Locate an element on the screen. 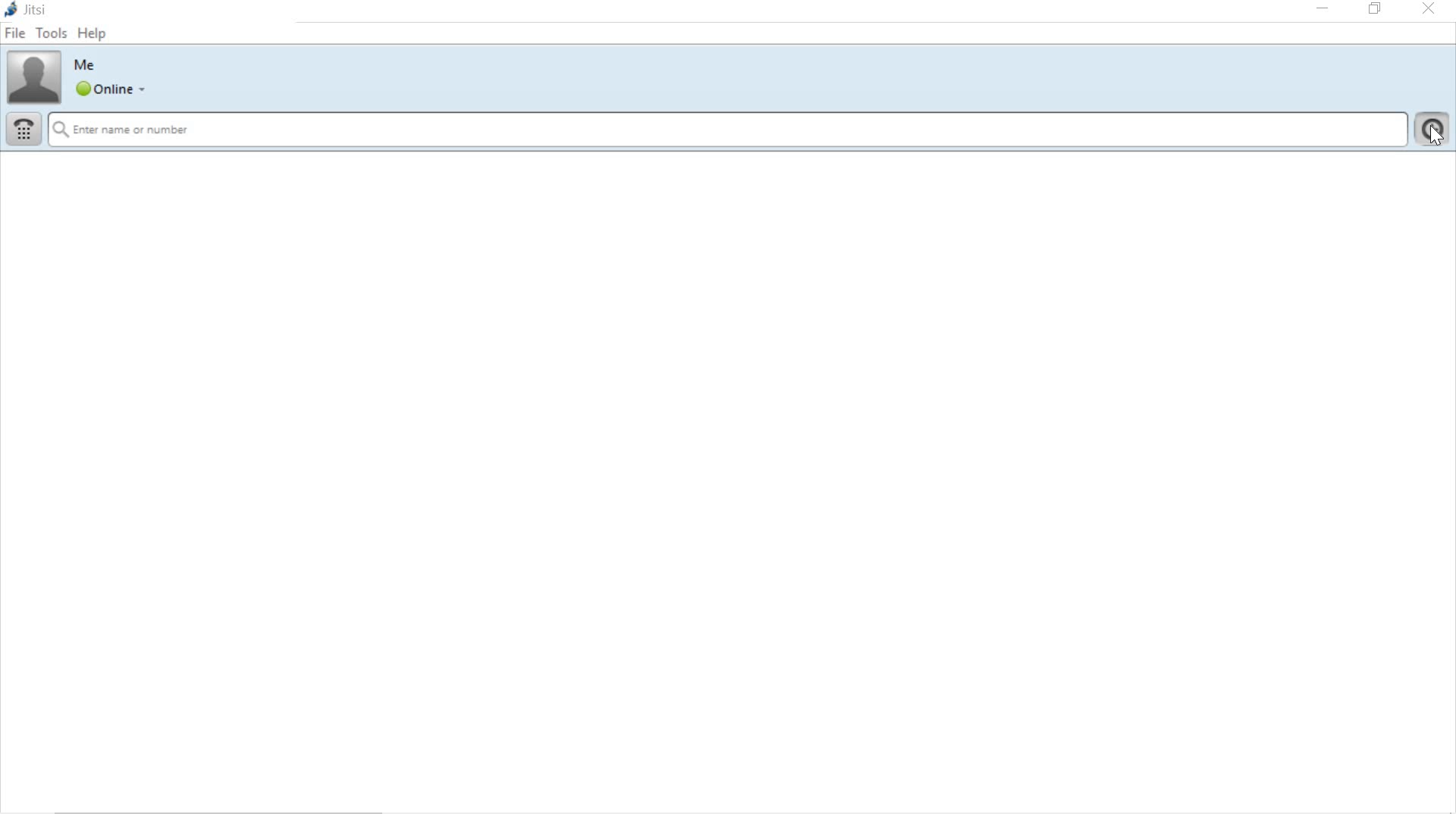  minimize is located at coordinates (1320, 11).